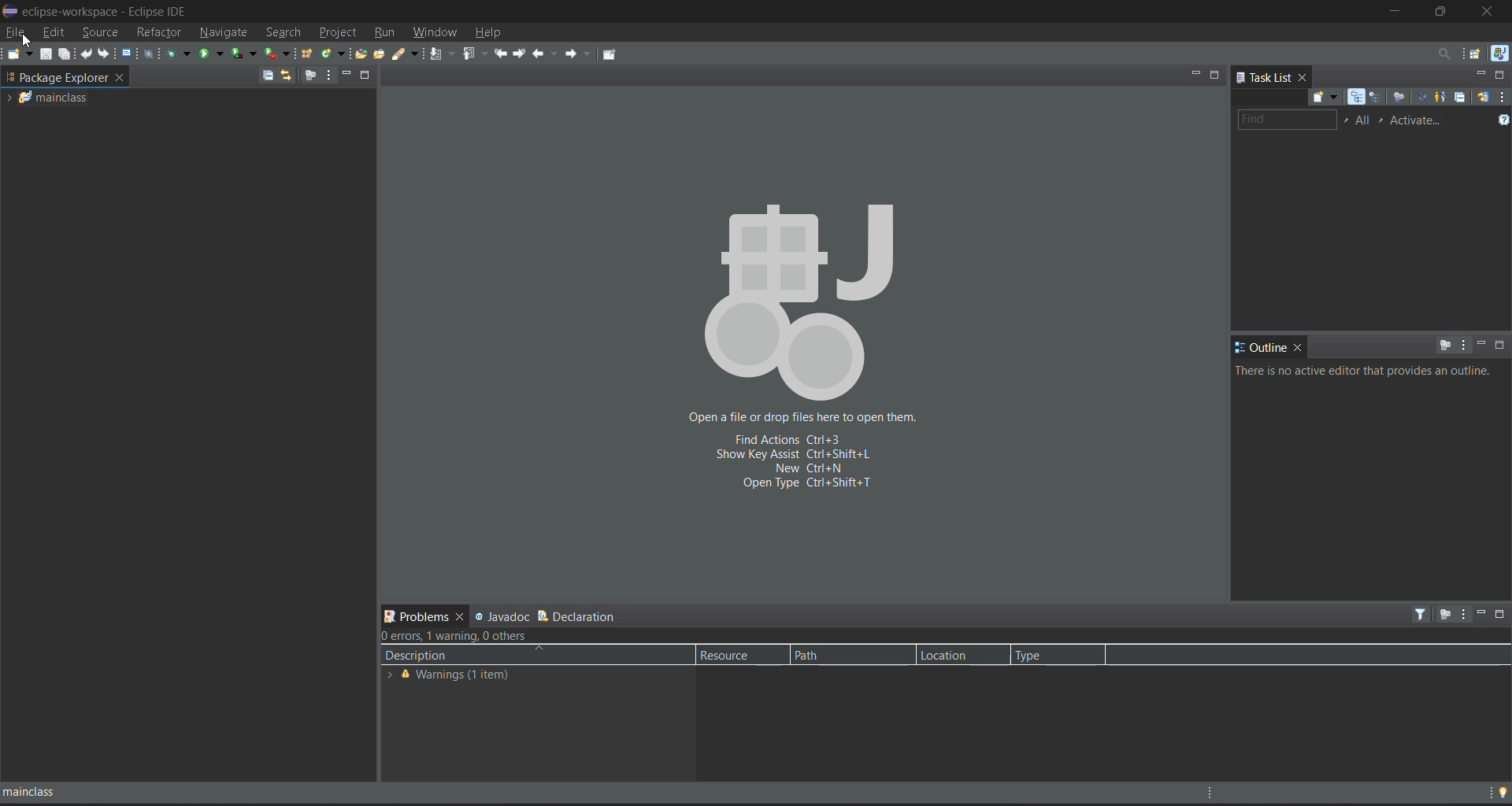  I want to click on show only my tasks, so click(1443, 97).